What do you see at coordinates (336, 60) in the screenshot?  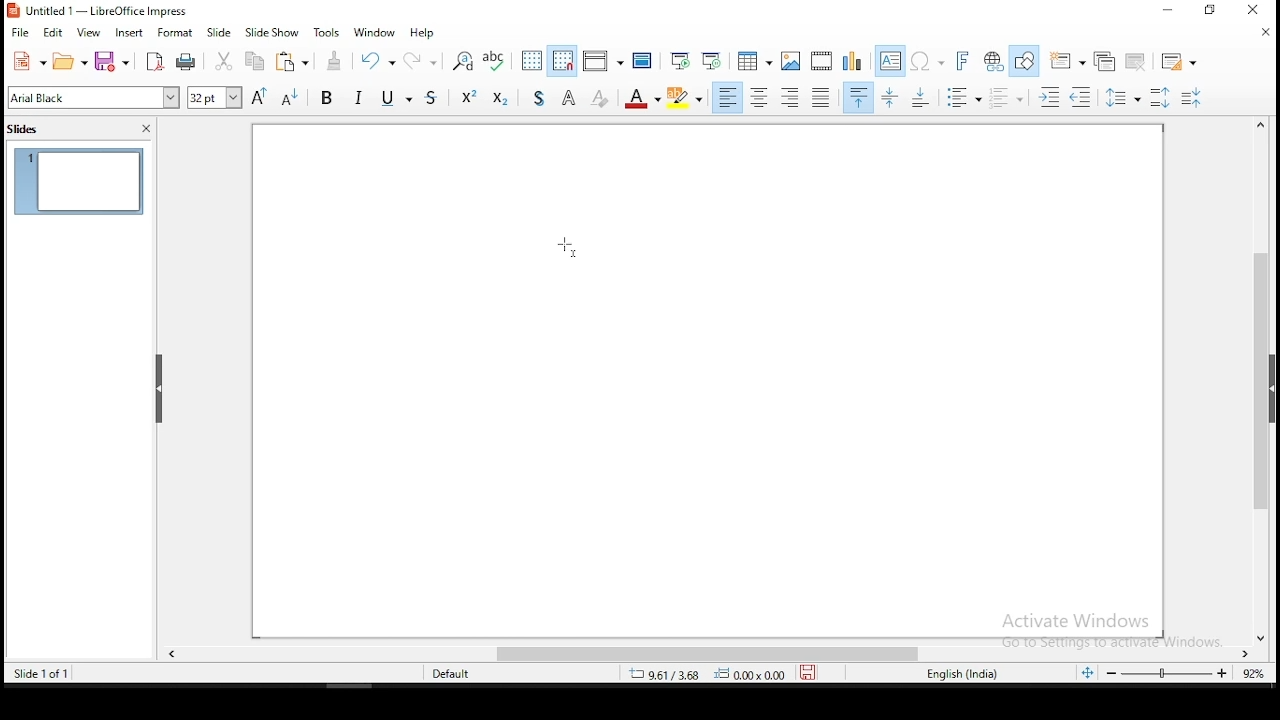 I see `clone formatting` at bounding box center [336, 60].